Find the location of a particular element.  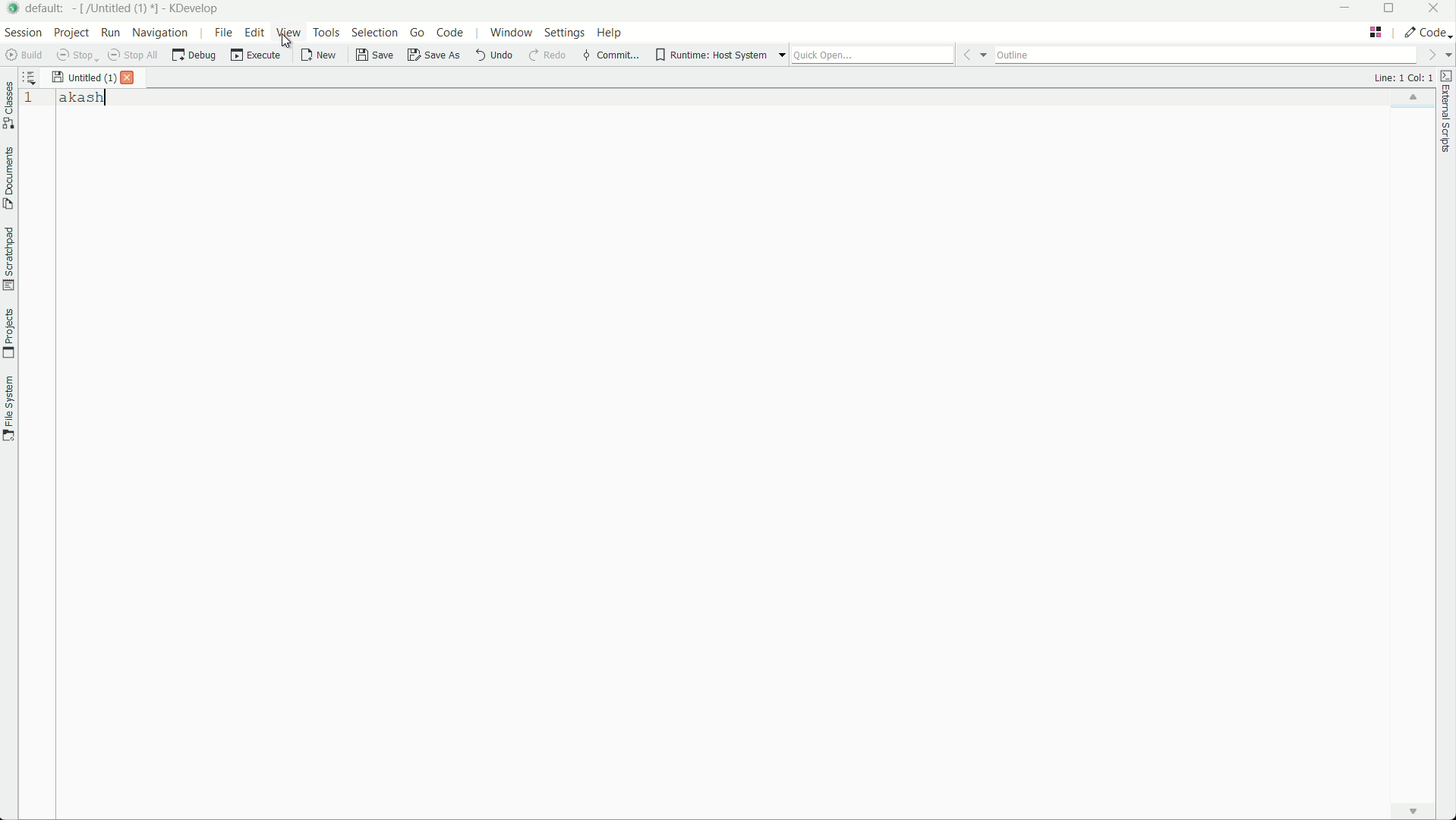

scratchpad is located at coordinates (9, 257).